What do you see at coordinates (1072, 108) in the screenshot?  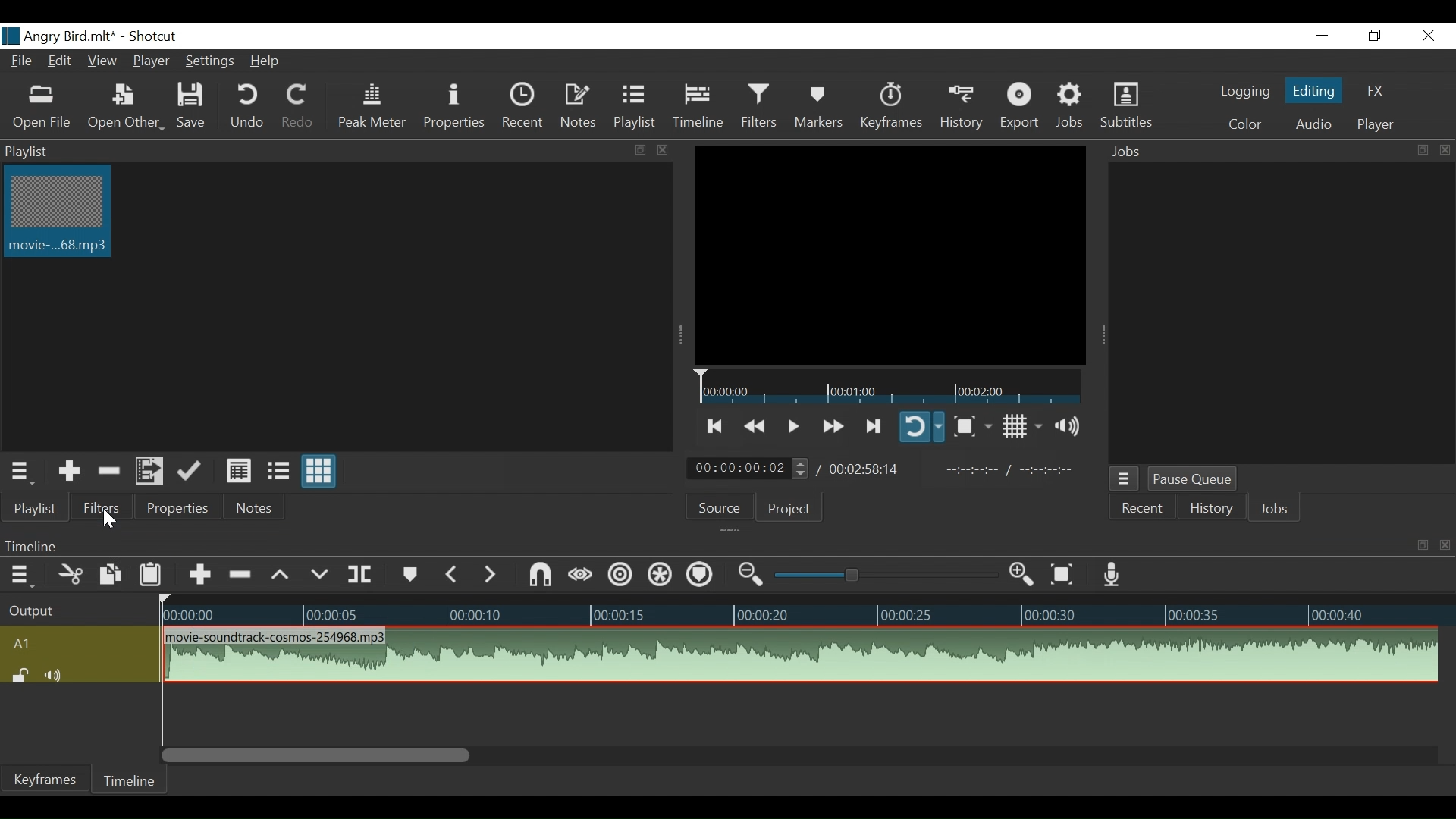 I see `Jobs` at bounding box center [1072, 108].